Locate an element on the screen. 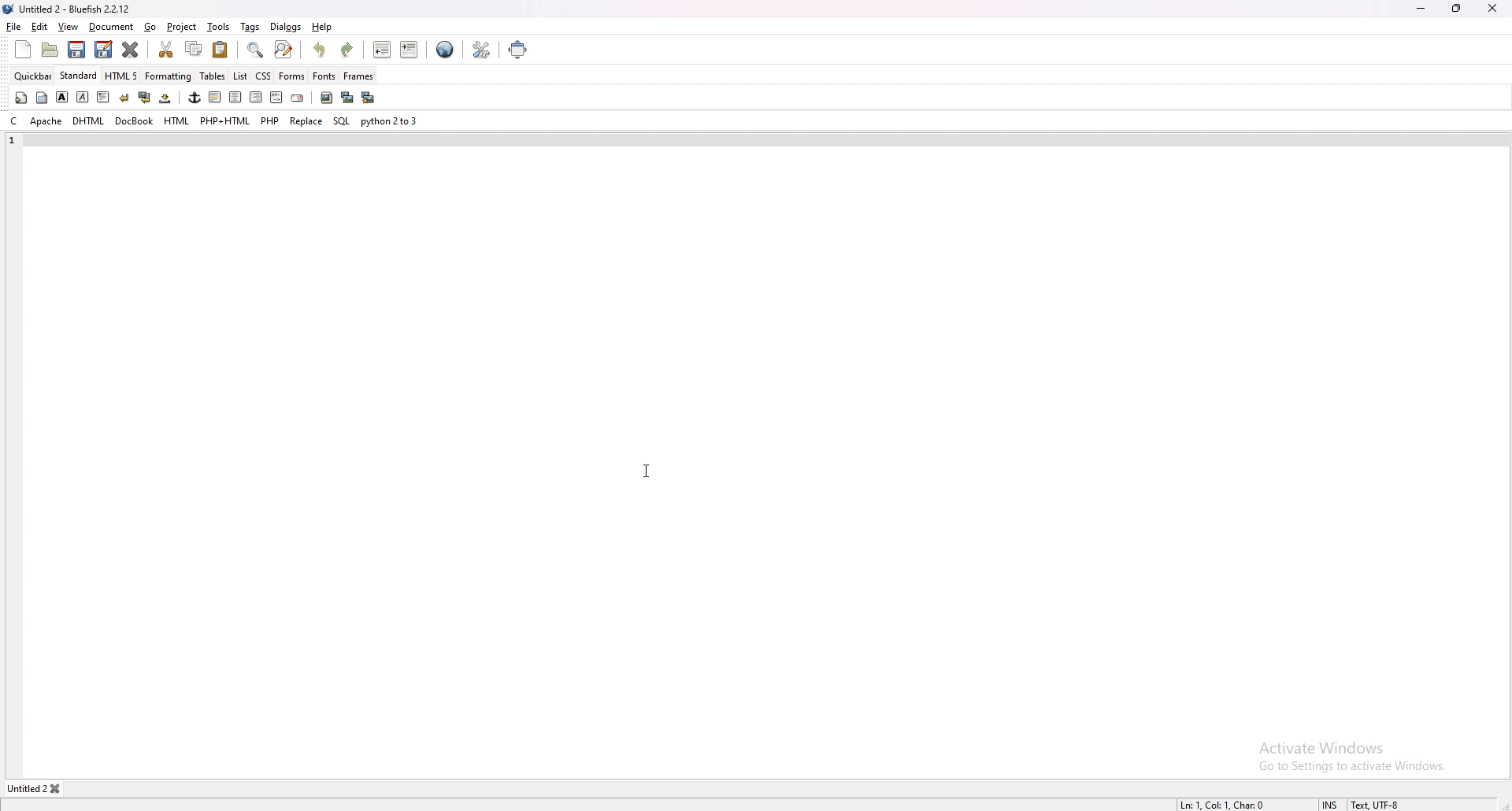 This screenshot has width=1512, height=811. document is located at coordinates (112, 27).